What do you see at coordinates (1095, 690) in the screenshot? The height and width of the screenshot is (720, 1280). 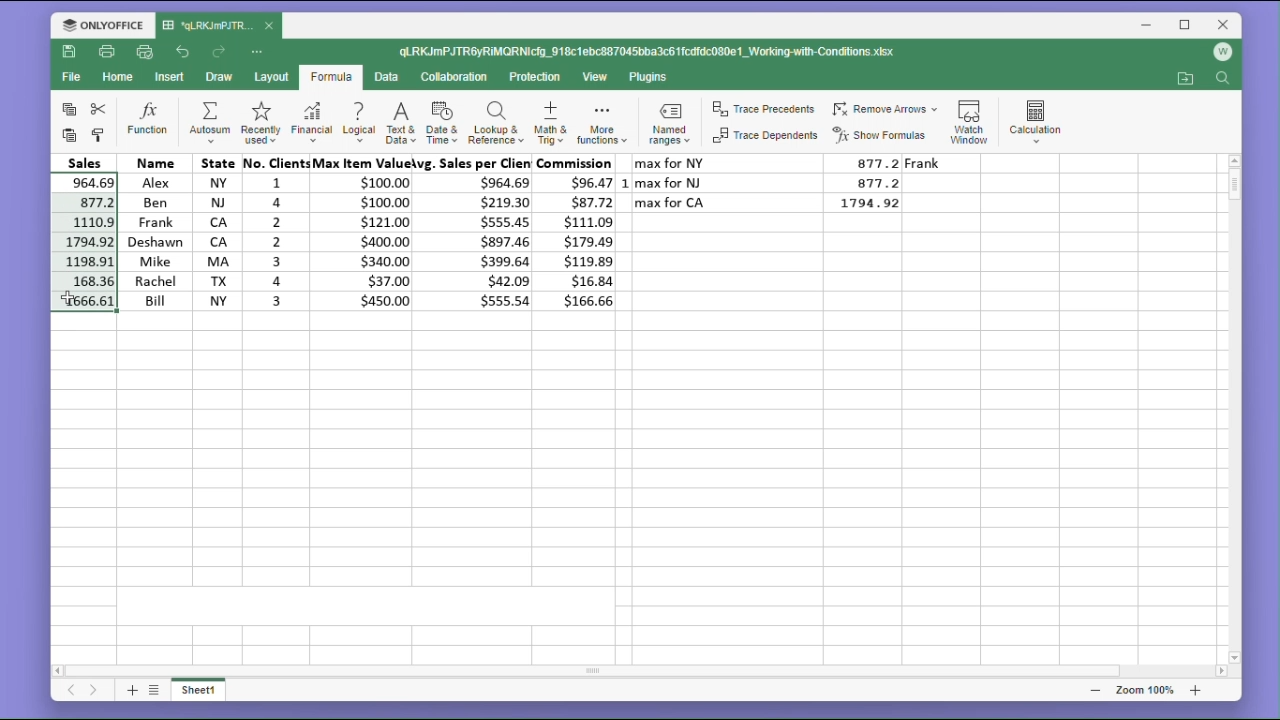 I see `zoom out` at bounding box center [1095, 690].